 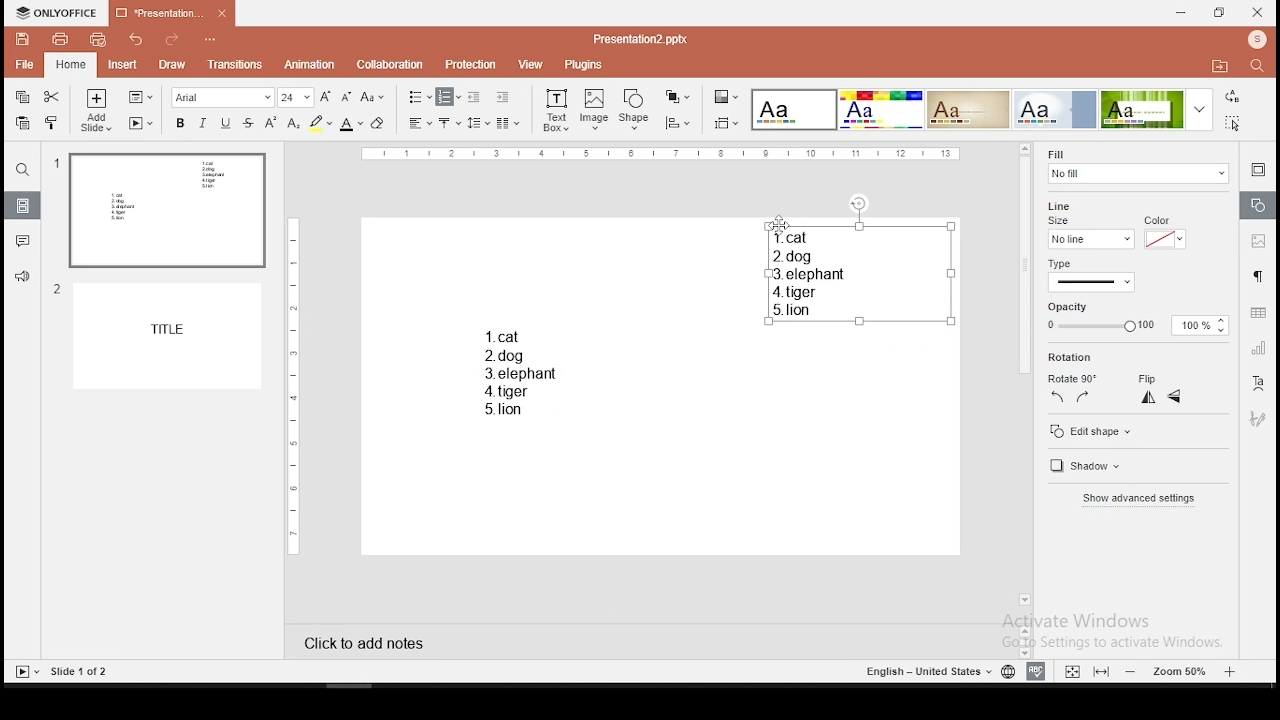 I want to click on collaboration, so click(x=390, y=65).